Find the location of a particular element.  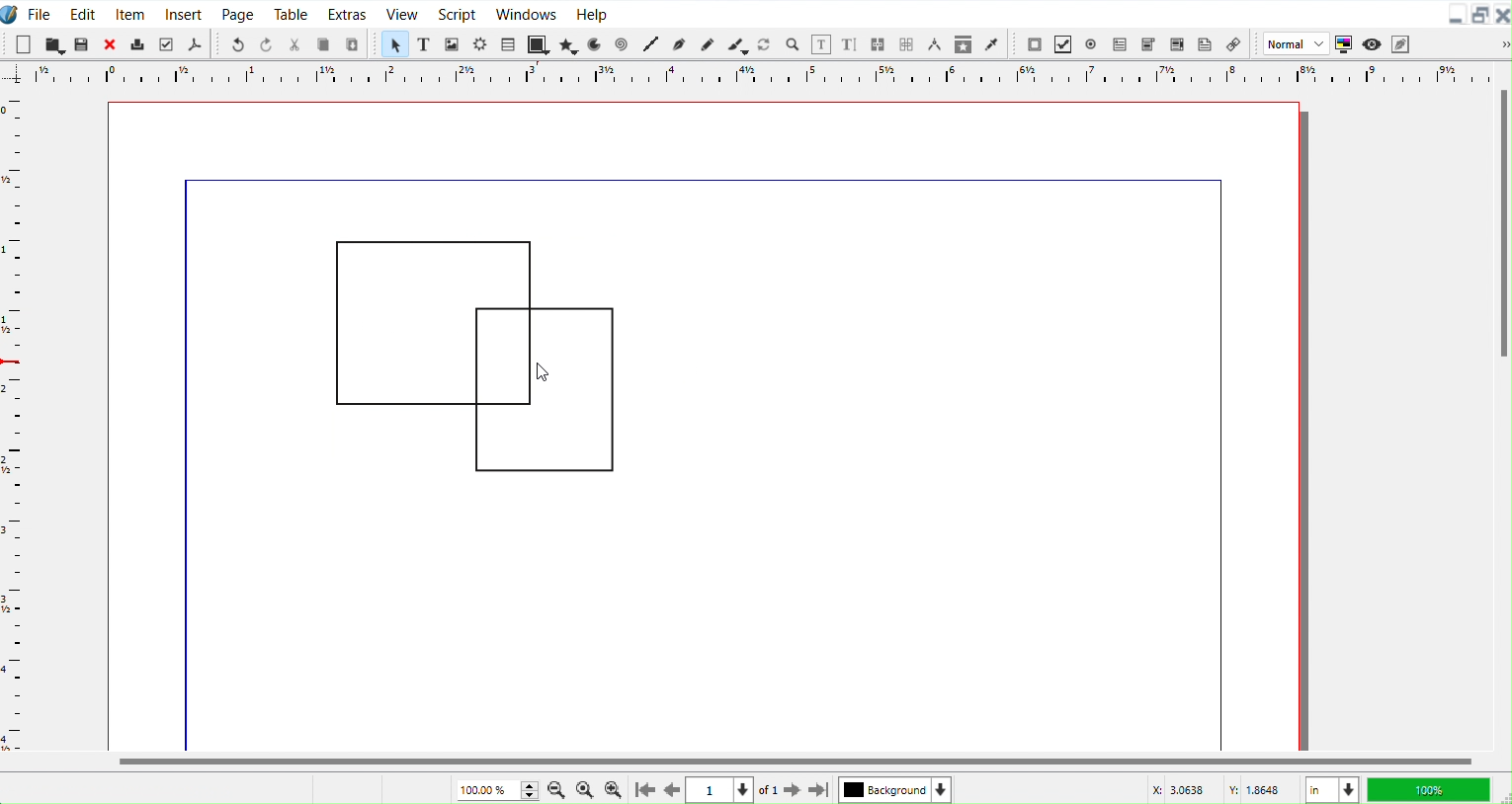

Select Item is located at coordinates (395, 44).